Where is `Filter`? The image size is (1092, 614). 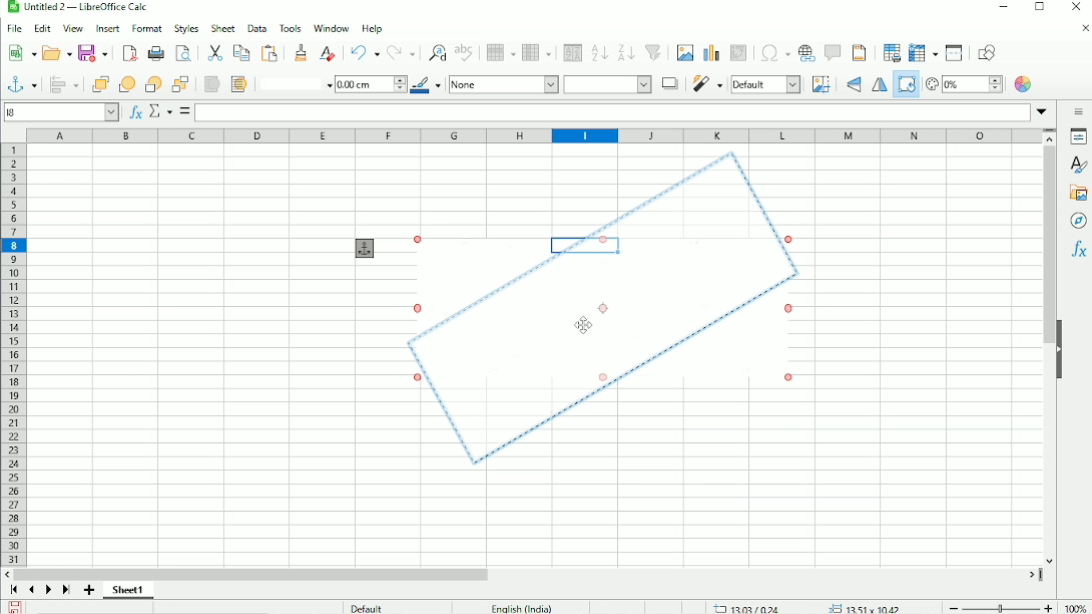 Filter is located at coordinates (707, 84).